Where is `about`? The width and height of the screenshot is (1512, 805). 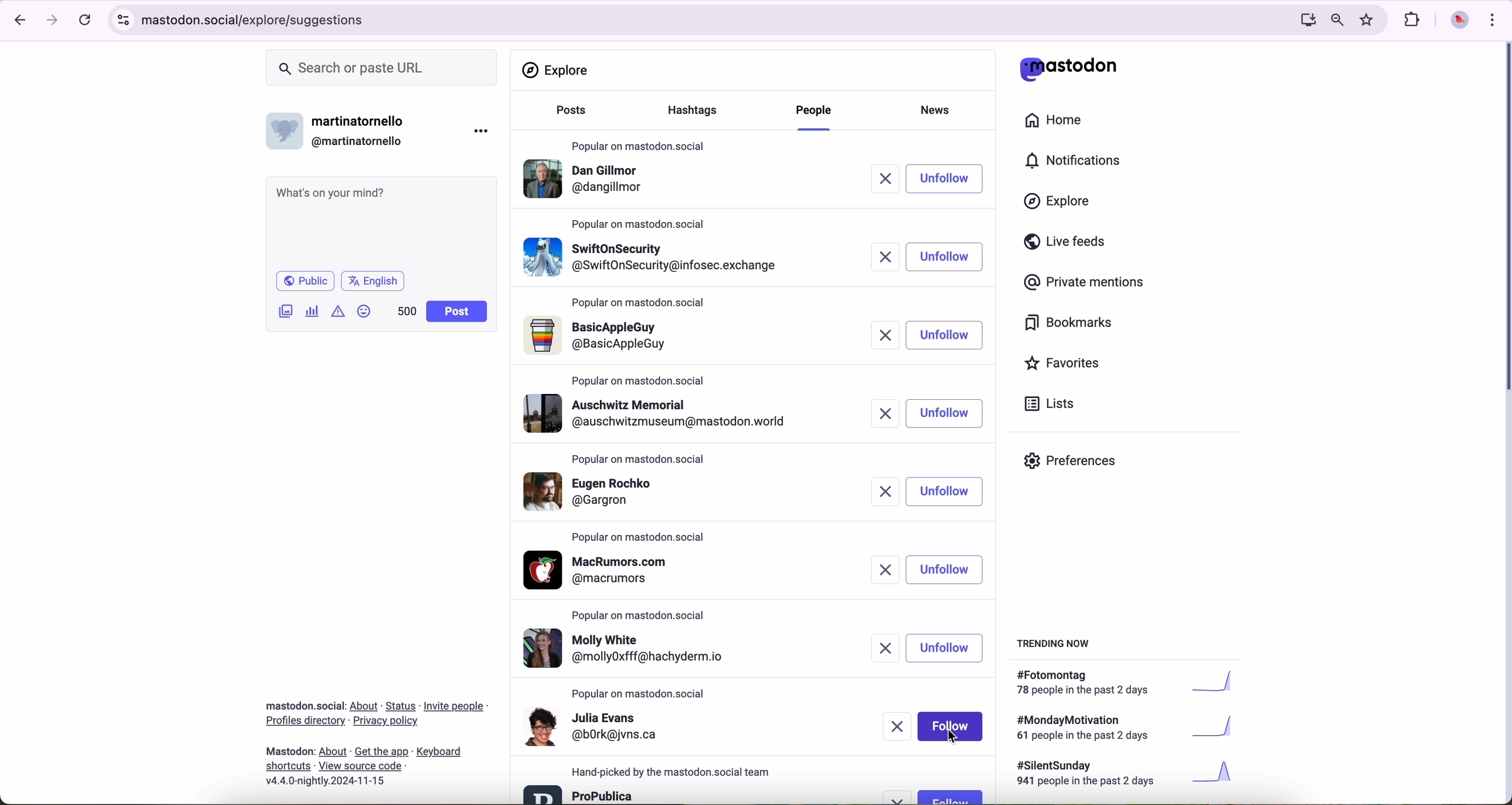 about is located at coordinates (376, 739).